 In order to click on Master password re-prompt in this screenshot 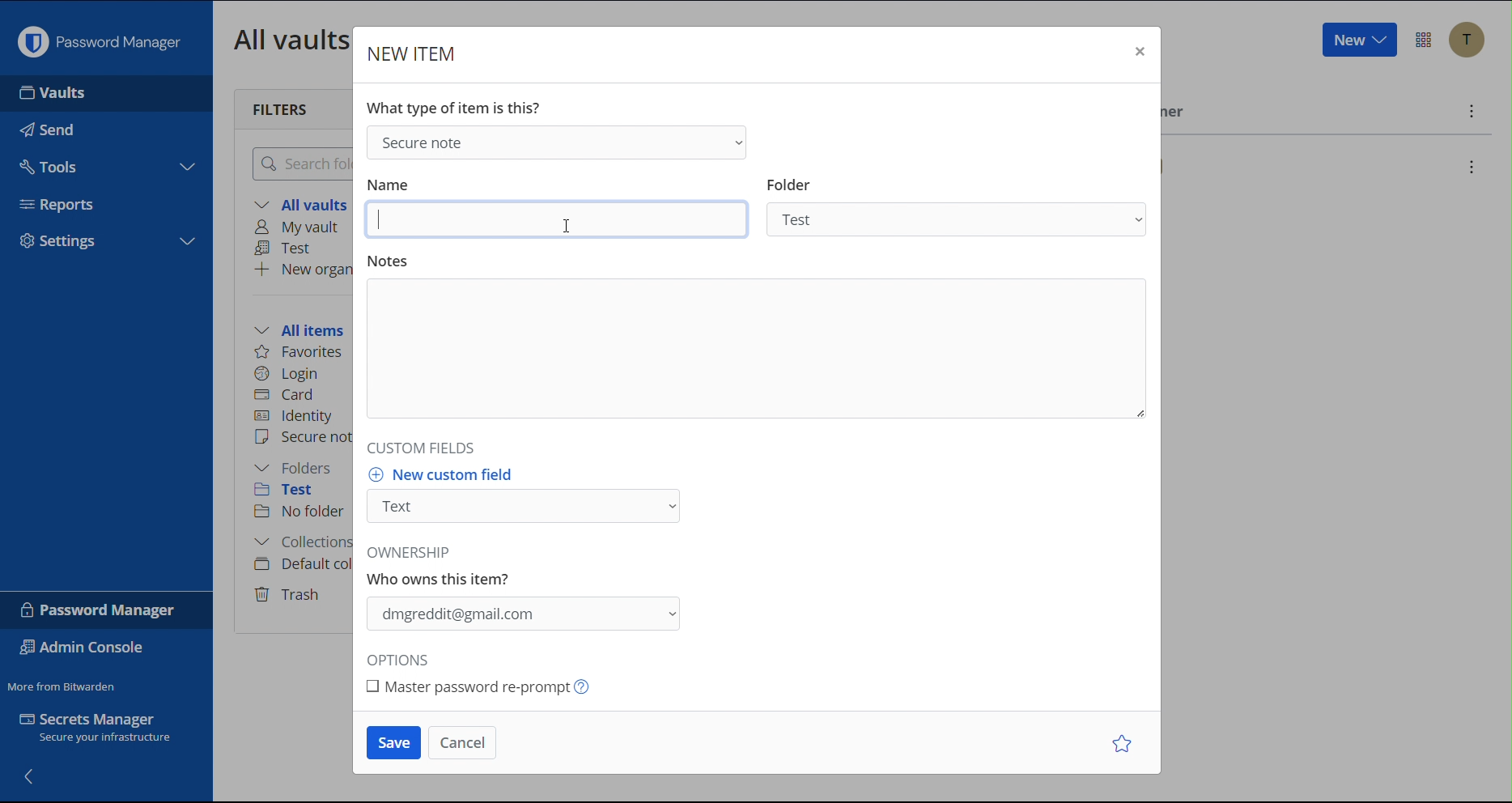, I will do `click(499, 687)`.